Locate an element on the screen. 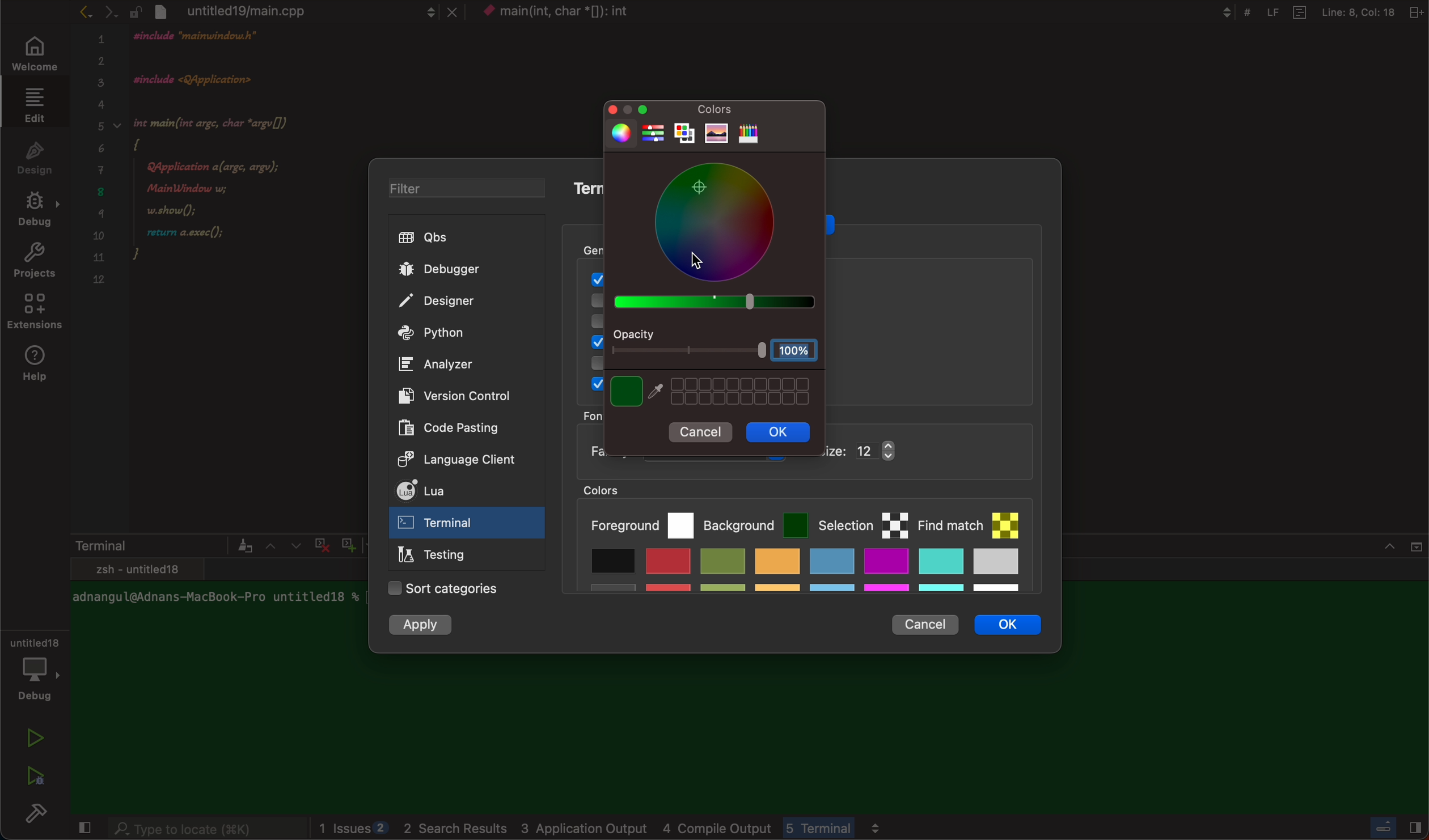  opacity is located at coordinates (717, 345).